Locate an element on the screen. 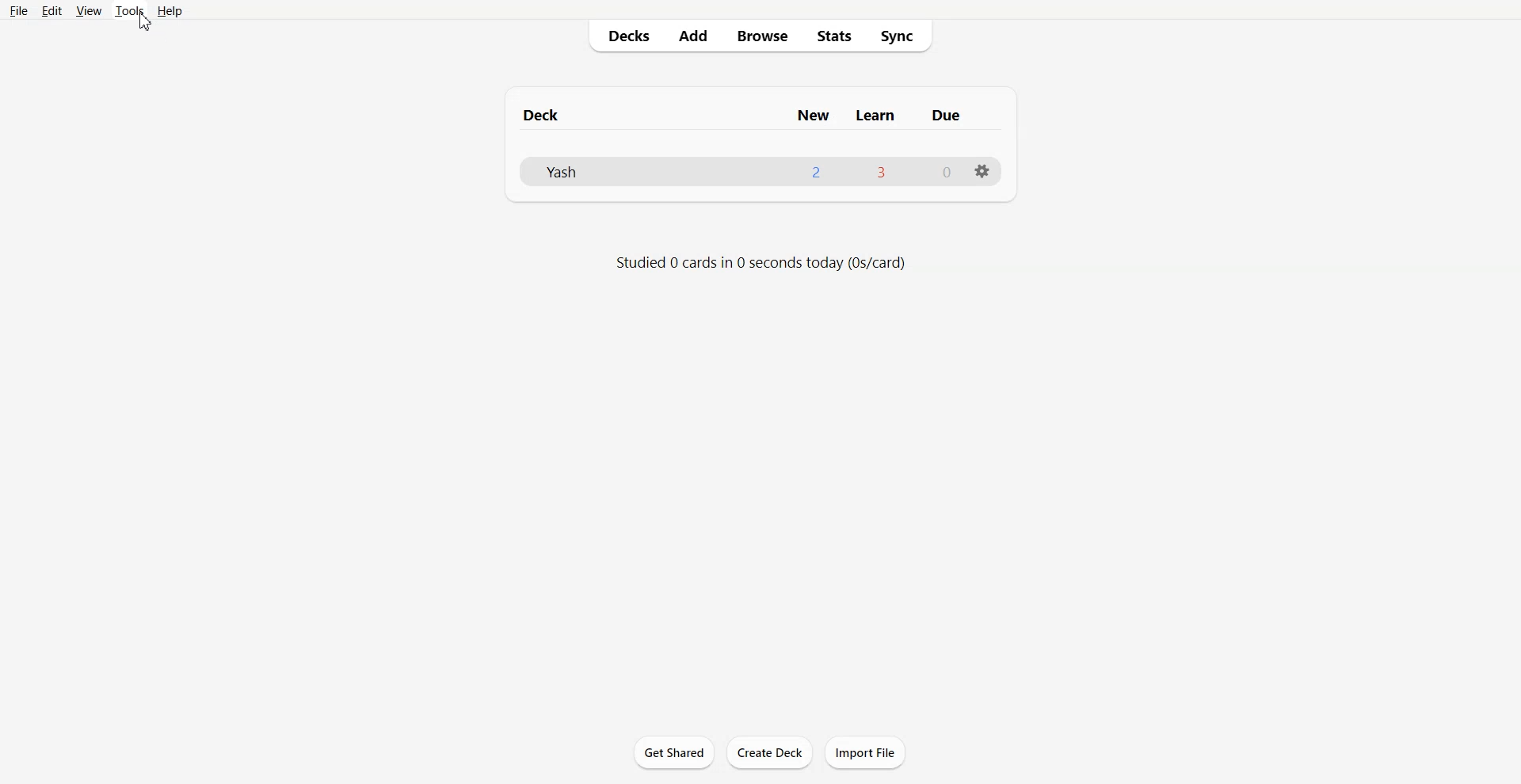 The height and width of the screenshot is (784, 1521). Create Deck is located at coordinates (769, 752).